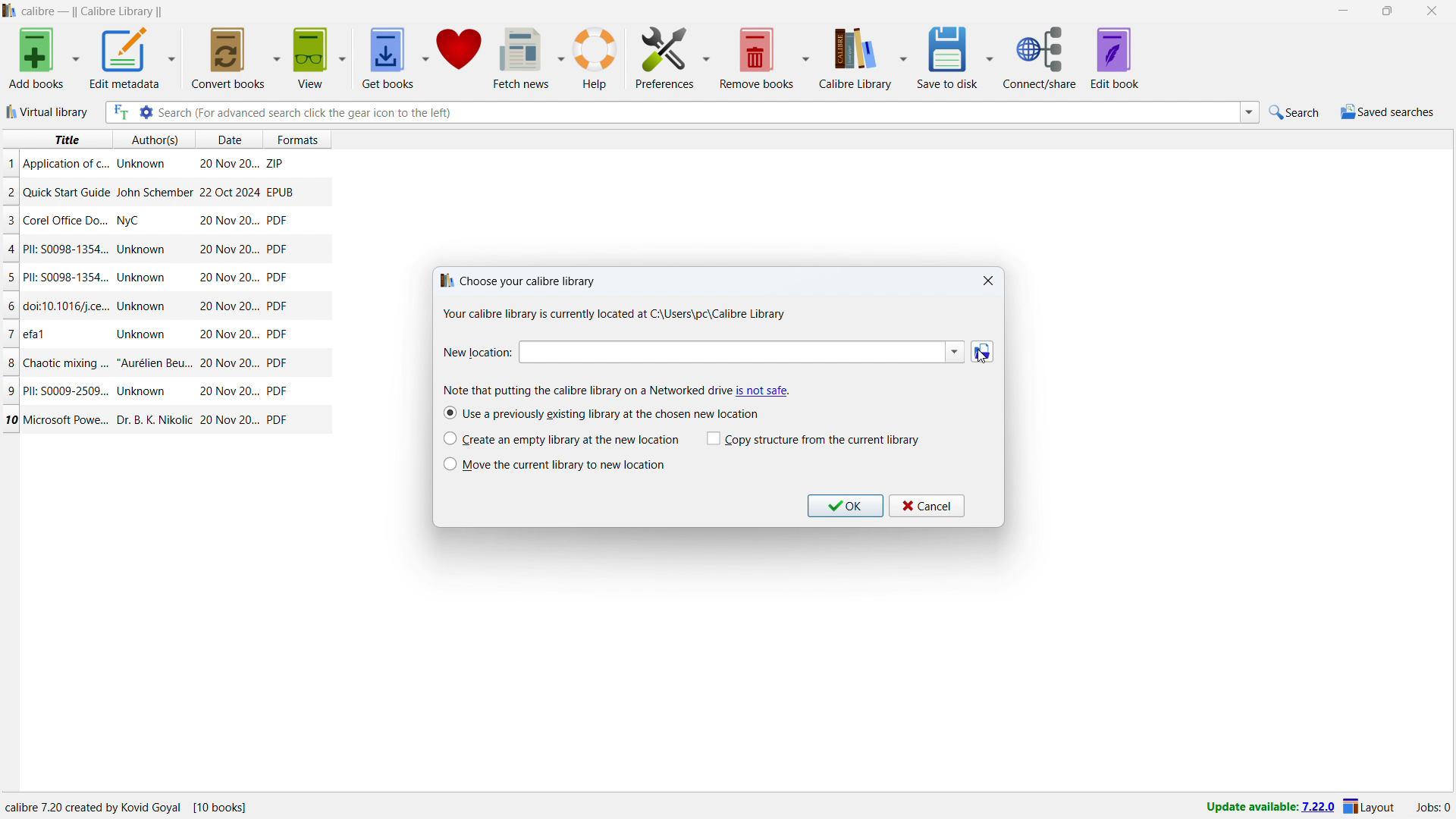  Describe the element at coordinates (757, 58) in the screenshot. I see `remove books` at that location.